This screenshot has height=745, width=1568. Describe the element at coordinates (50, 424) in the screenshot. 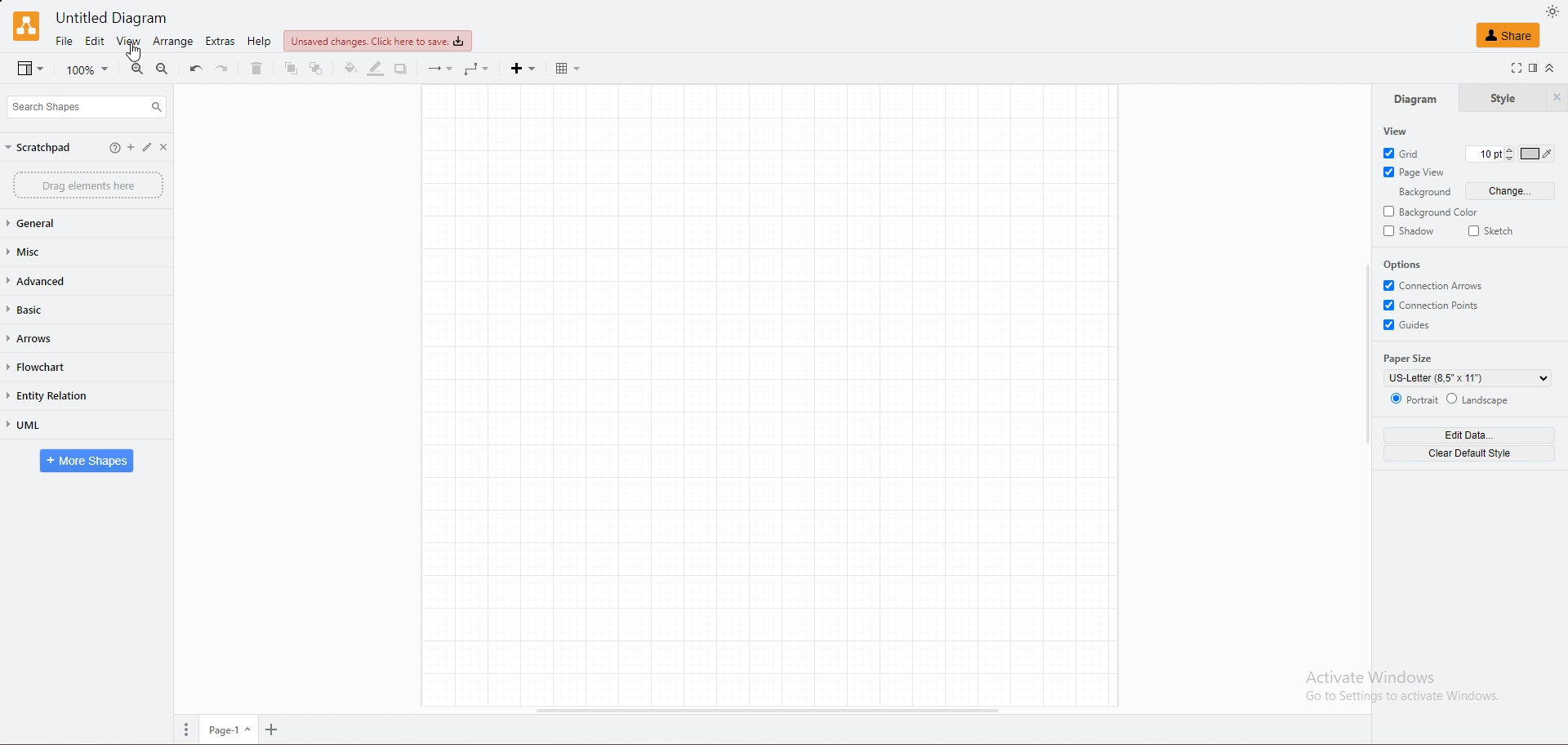

I see `uml` at that location.